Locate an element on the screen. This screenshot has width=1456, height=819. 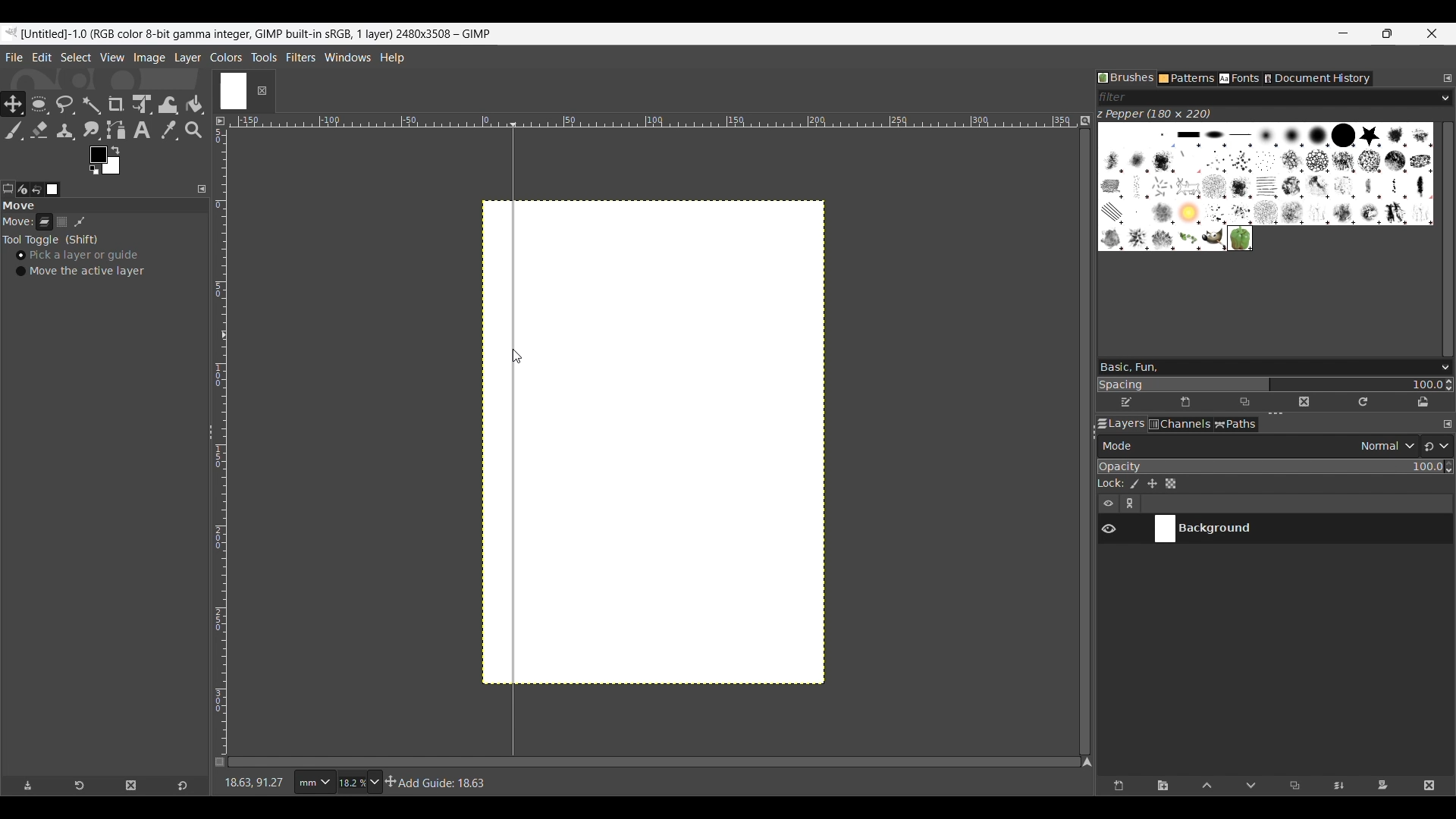
Save tool preset is located at coordinates (28, 786).